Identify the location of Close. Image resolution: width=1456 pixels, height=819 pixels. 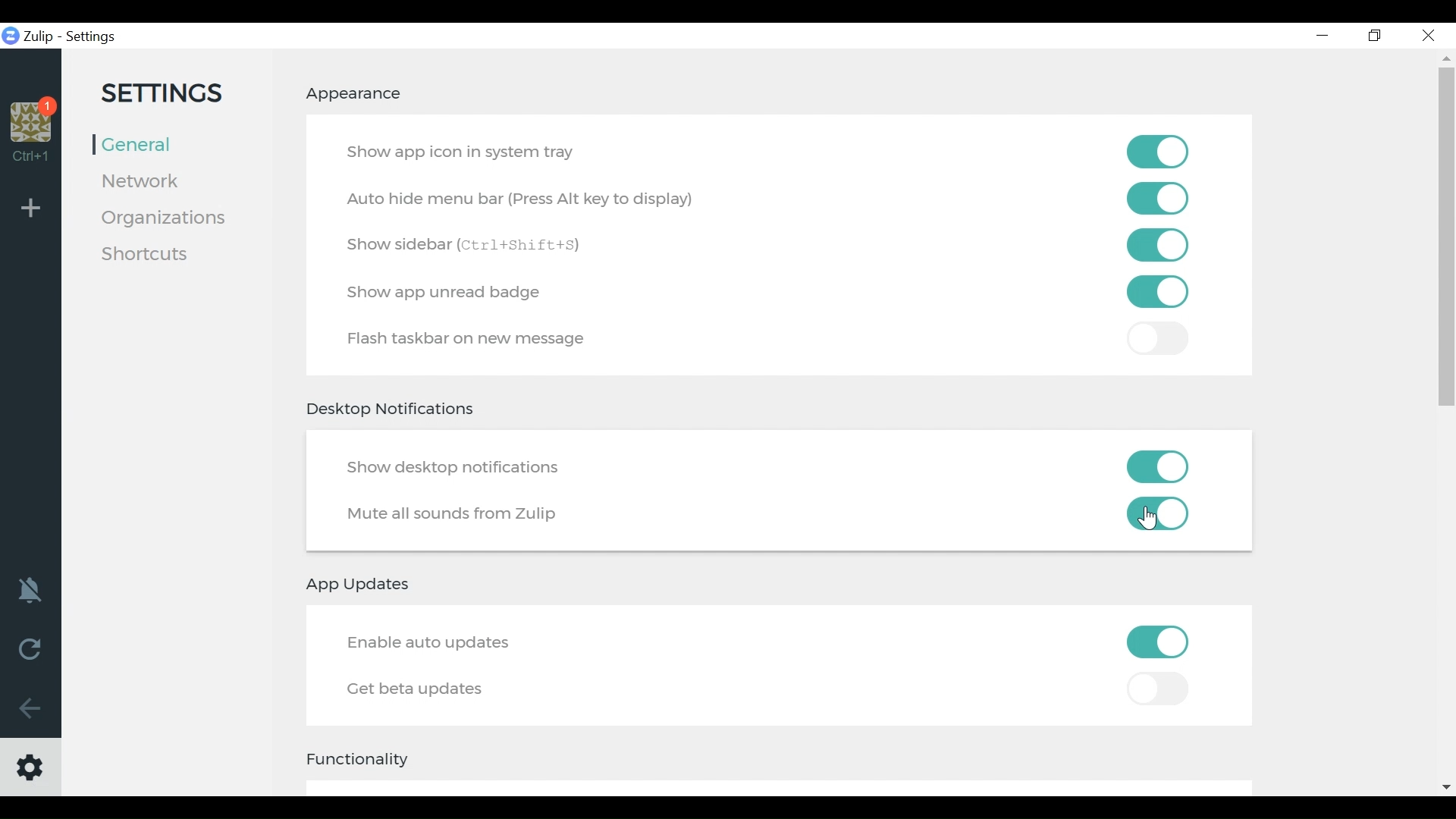
(1427, 36).